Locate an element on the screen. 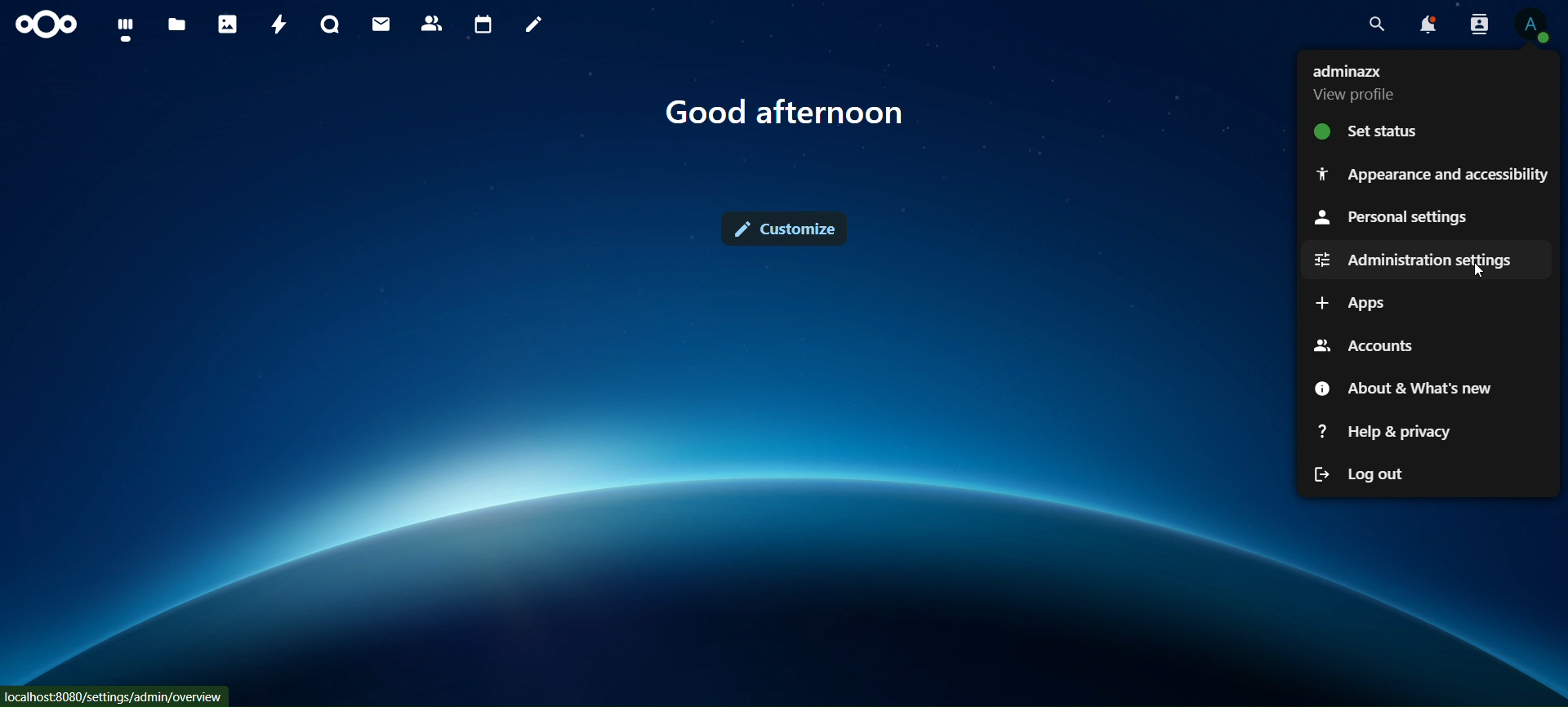 This screenshot has width=1568, height=707. personal settings is located at coordinates (1391, 218).